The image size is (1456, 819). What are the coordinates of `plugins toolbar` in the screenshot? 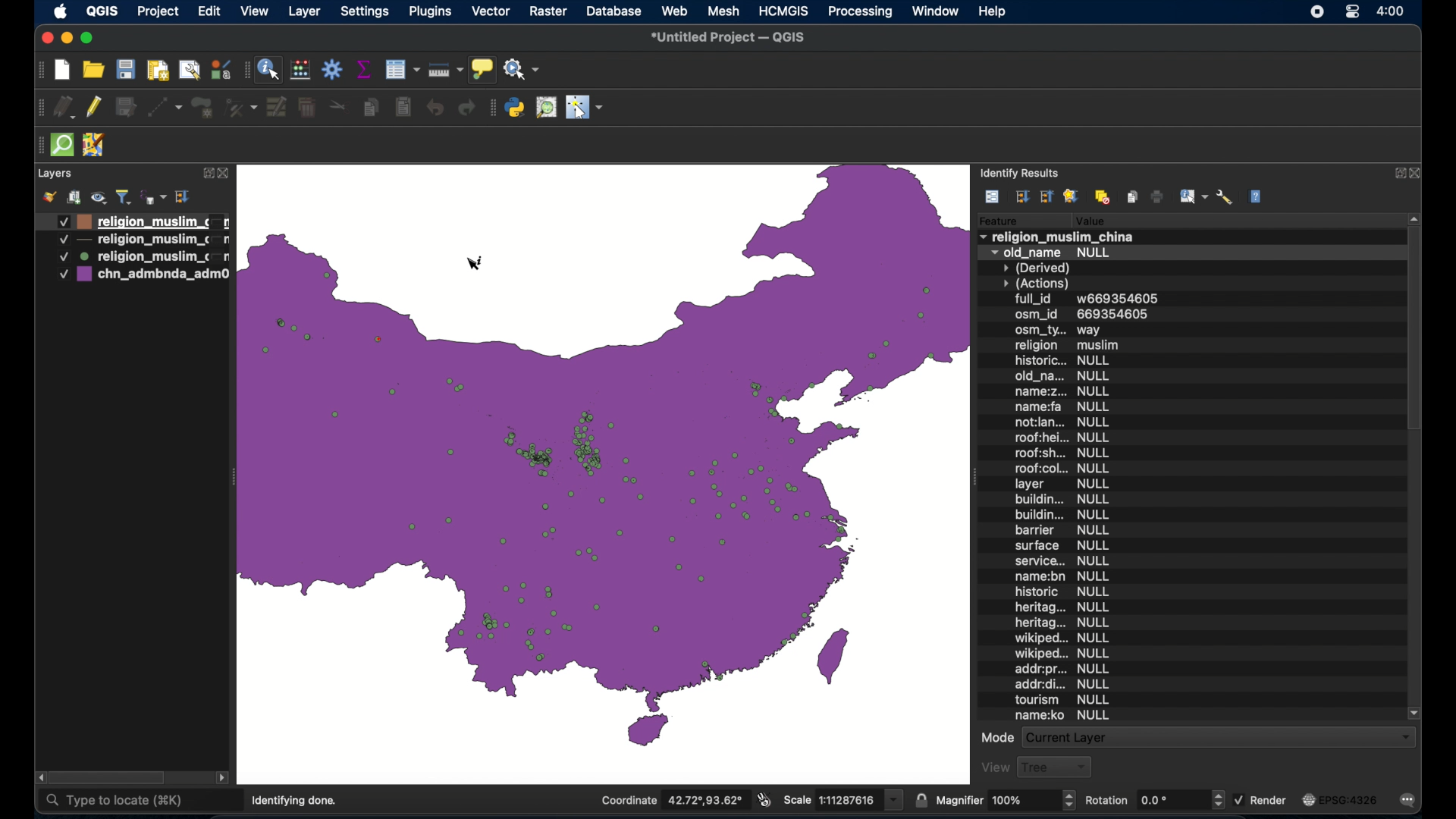 It's located at (493, 108).